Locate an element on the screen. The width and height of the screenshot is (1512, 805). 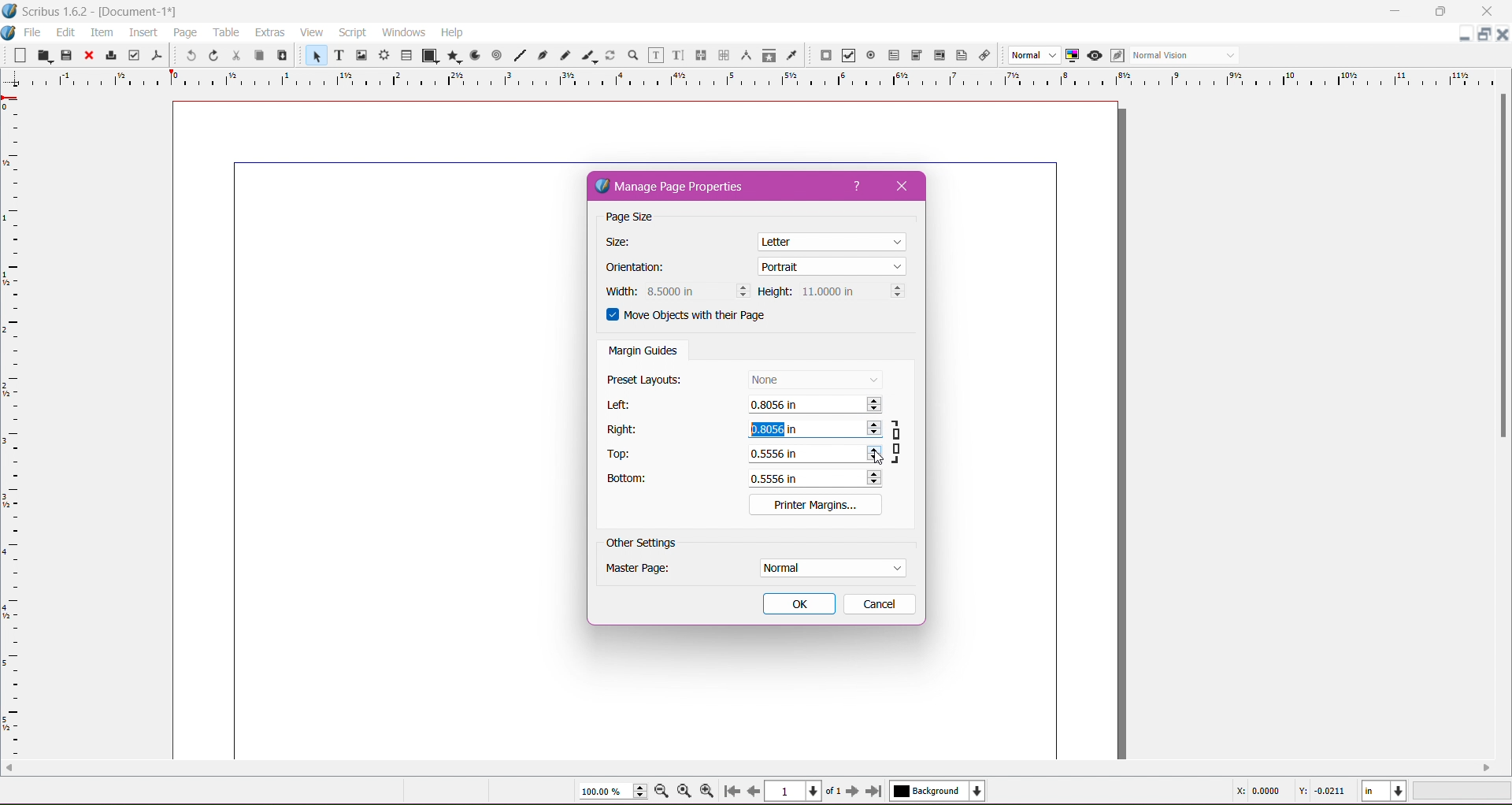
Select the image preview quality is located at coordinates (1032, 55).